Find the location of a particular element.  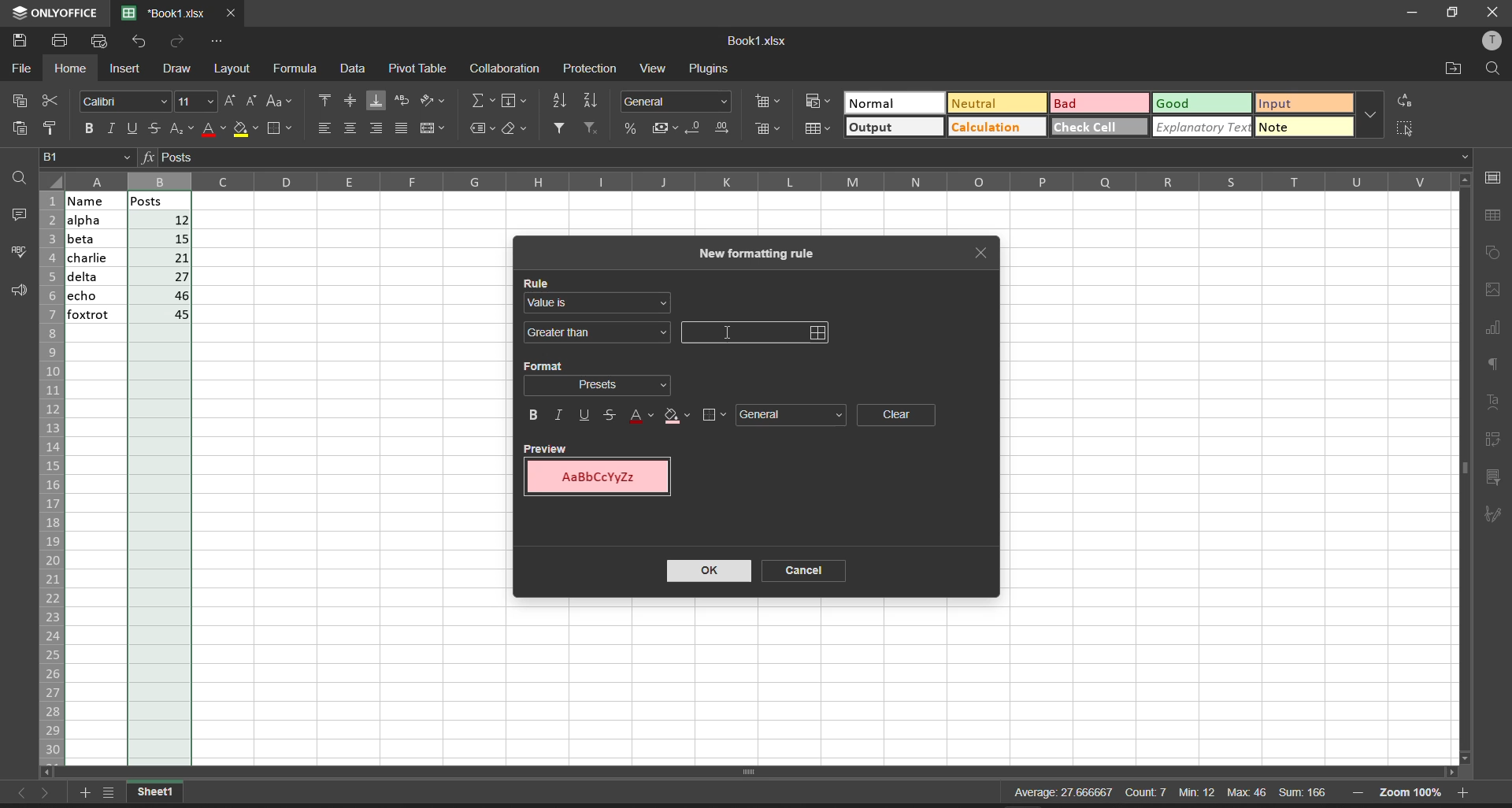

text settings is located at coordinates (1496, 401).